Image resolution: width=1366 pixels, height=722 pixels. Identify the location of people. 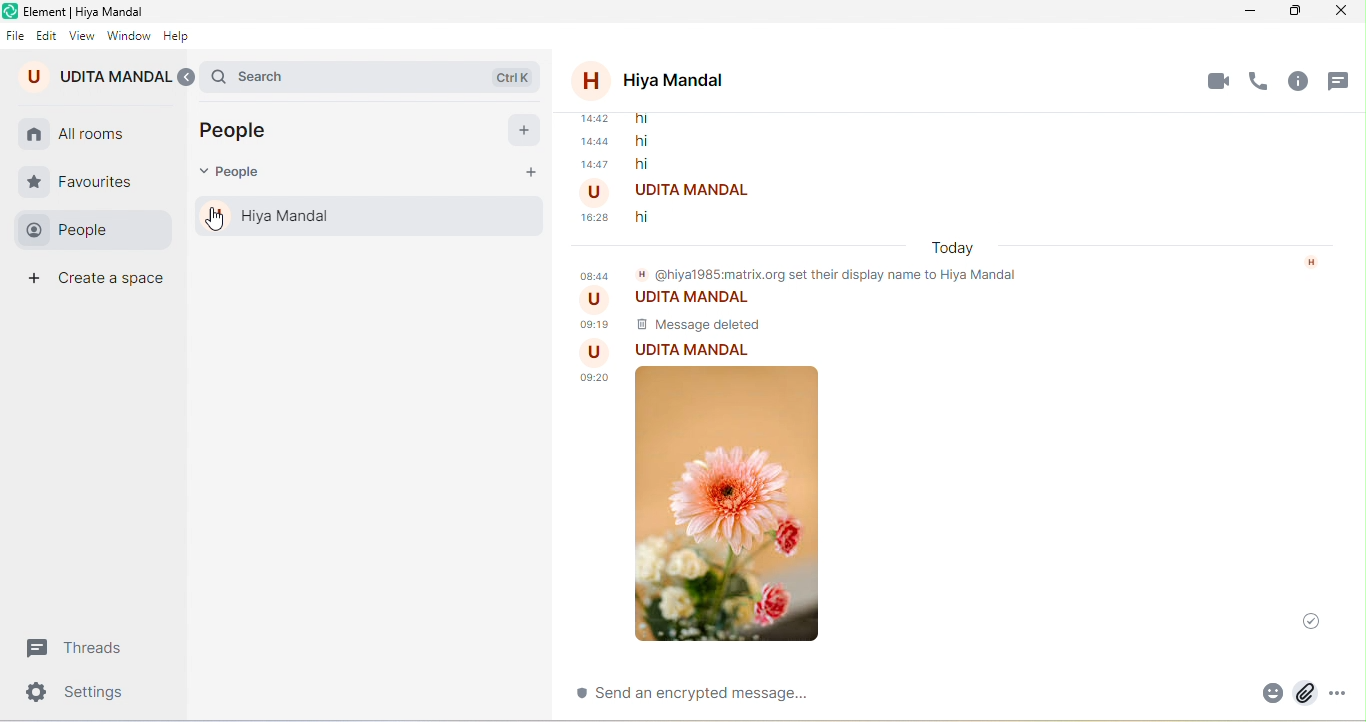
(236, 175).